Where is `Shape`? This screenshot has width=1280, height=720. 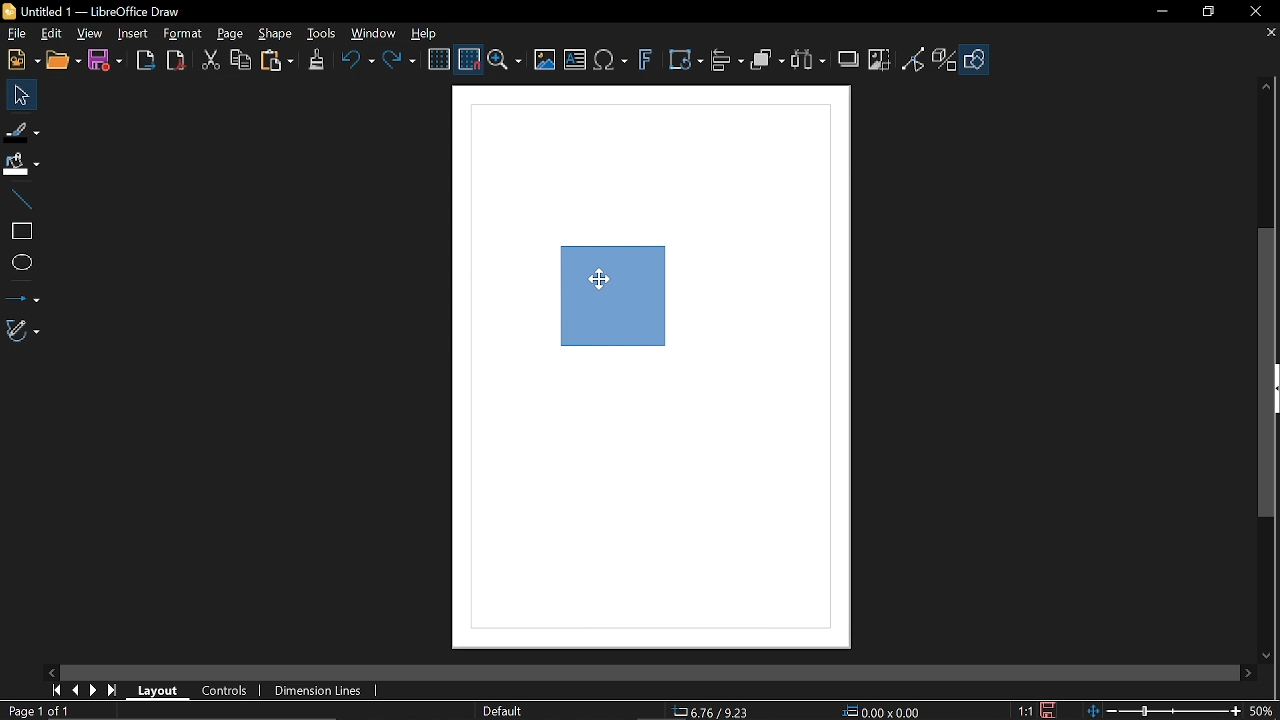
Shape is located at coordinates (274, 34).